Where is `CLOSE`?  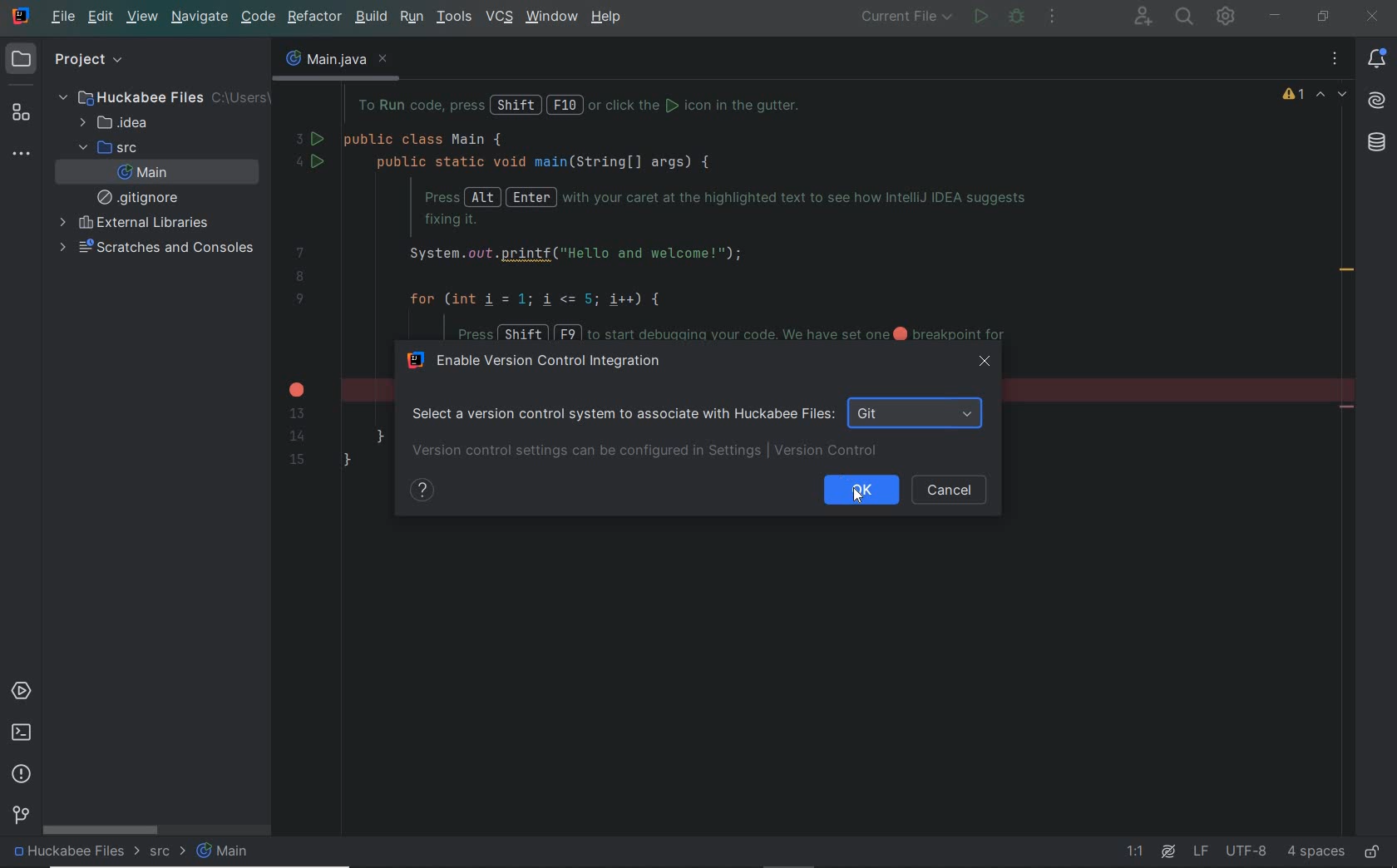
CLOSE is located at coordinates (1374, 17).